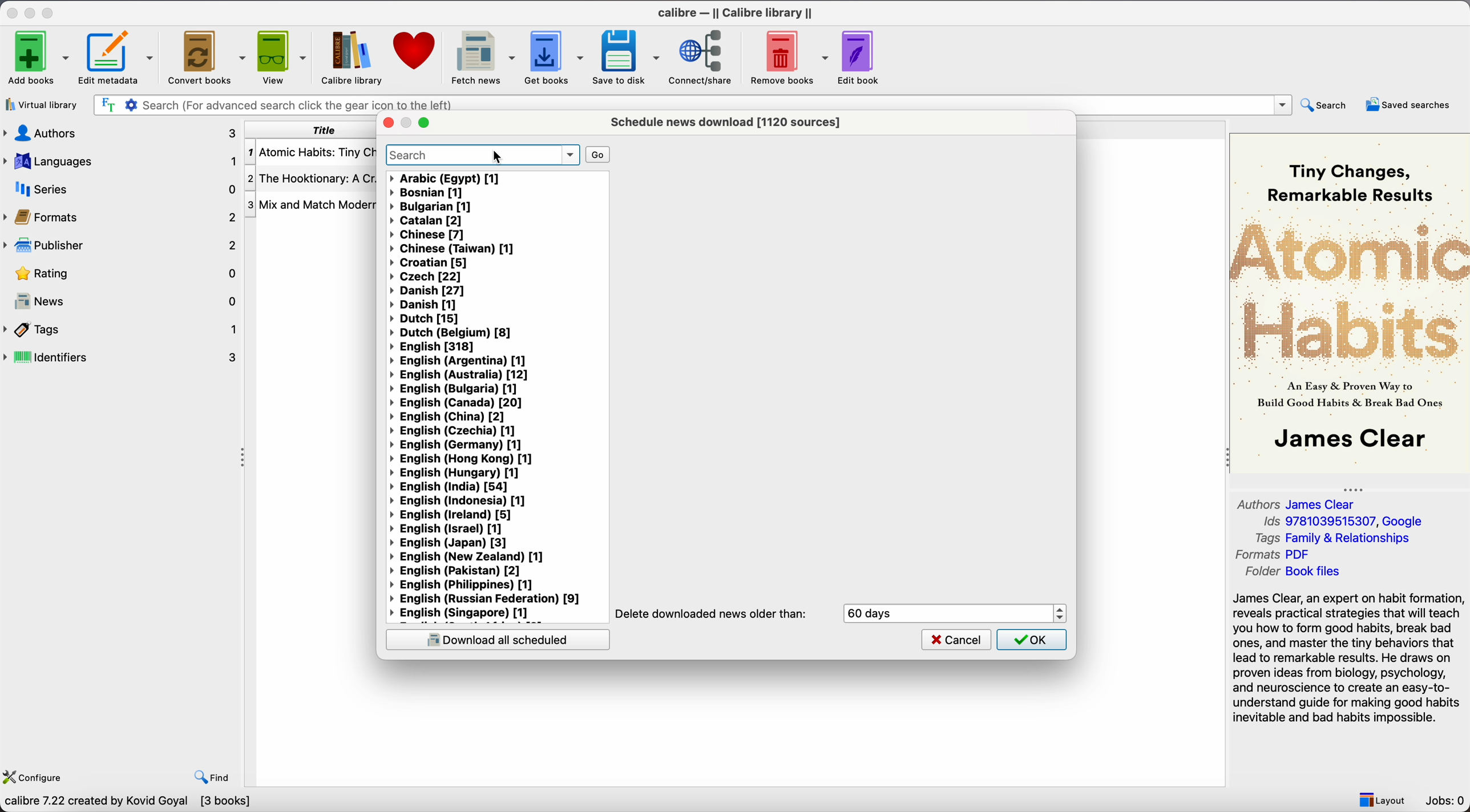 The width and height of the screenshot is (1470, 812). What do you see at coordinates (738, 12) in the screenshot?
I see `Calibre - || Calibre library ||` at bounding box center [738, 12].